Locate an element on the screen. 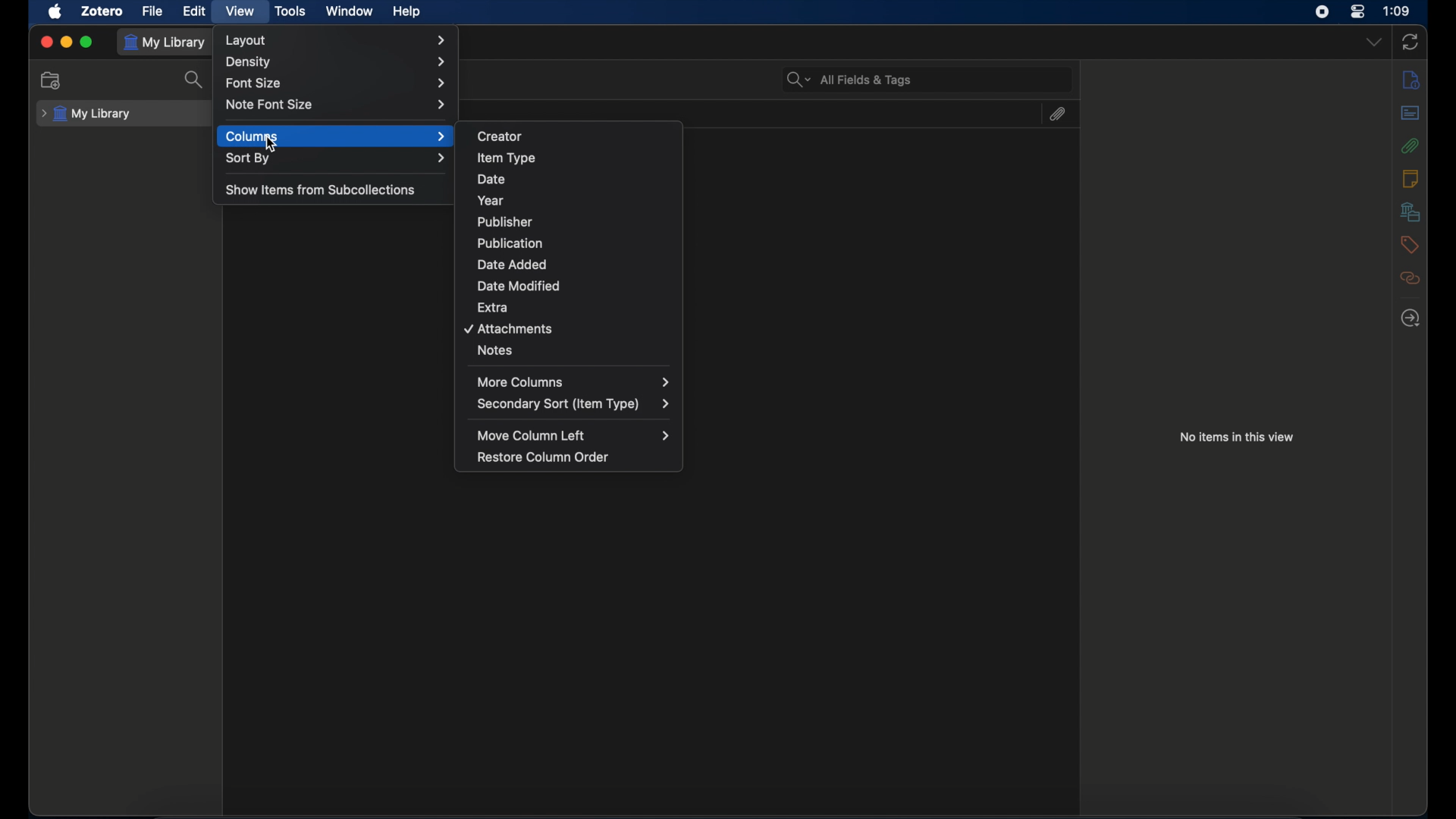 This screenshot has height=819, width=1456. control center is located at coordinates (1357, 11).